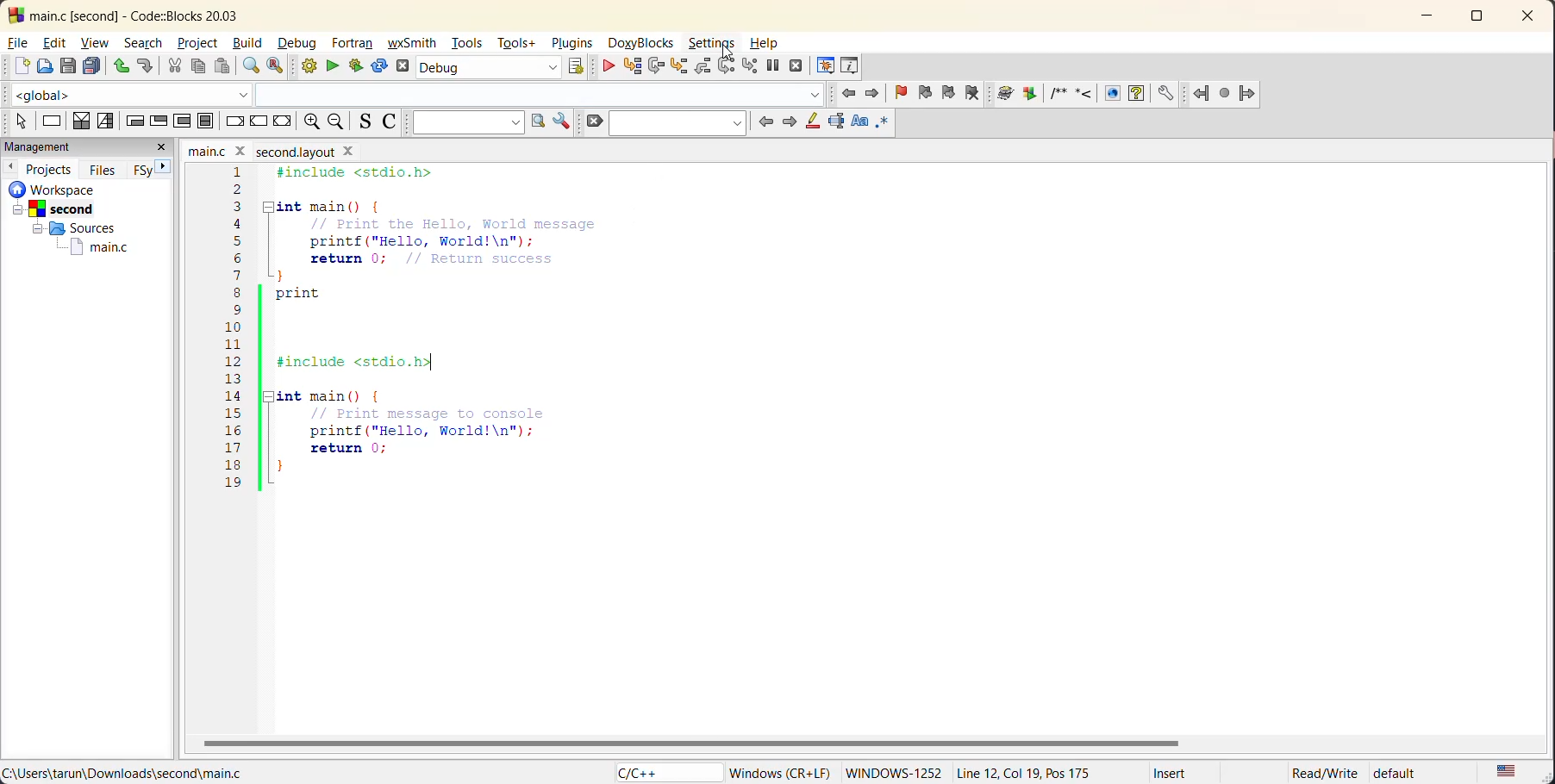 This screenshot has width=1555, height=784. Describe the element at coordinates (1509, 770) in the screenshot. I see `text language` at that location.